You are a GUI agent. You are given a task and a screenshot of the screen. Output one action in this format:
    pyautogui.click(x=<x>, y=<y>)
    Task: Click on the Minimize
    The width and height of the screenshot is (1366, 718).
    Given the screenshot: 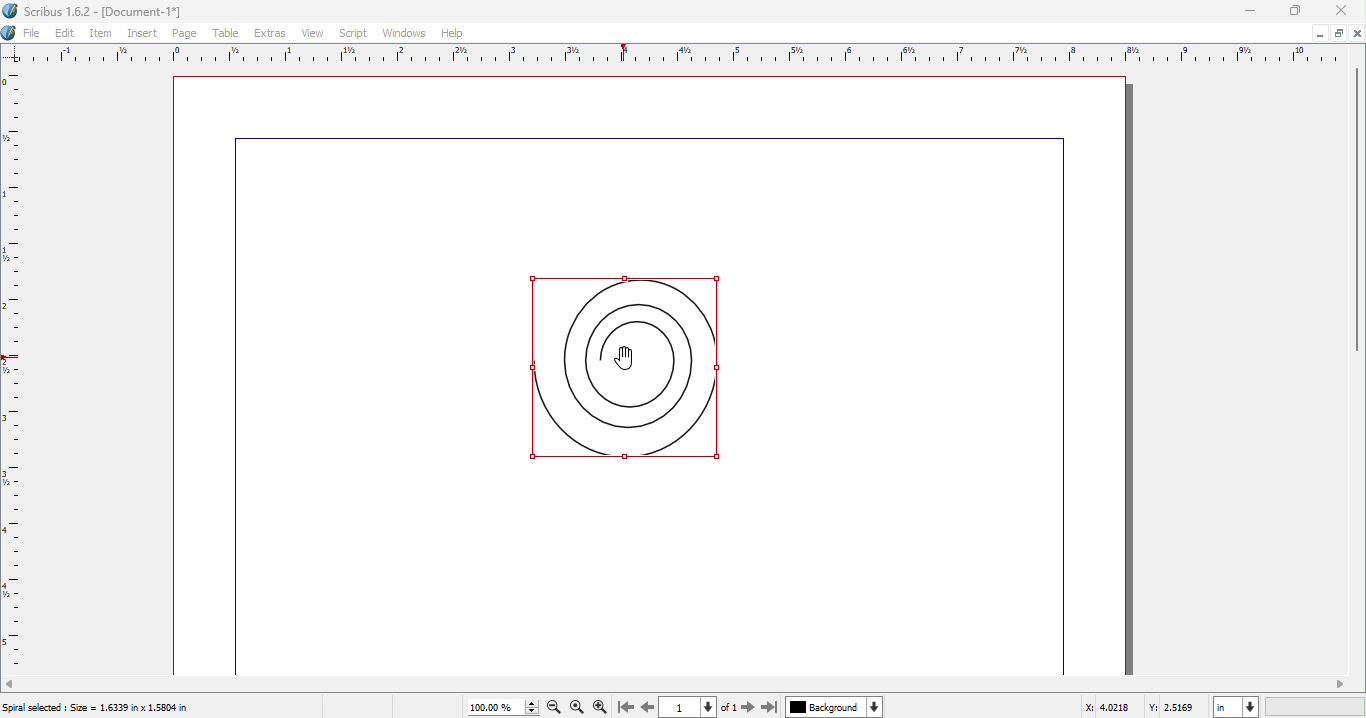 What is the action you would take?
    pyautogui.click(x=1319, y=34)
    